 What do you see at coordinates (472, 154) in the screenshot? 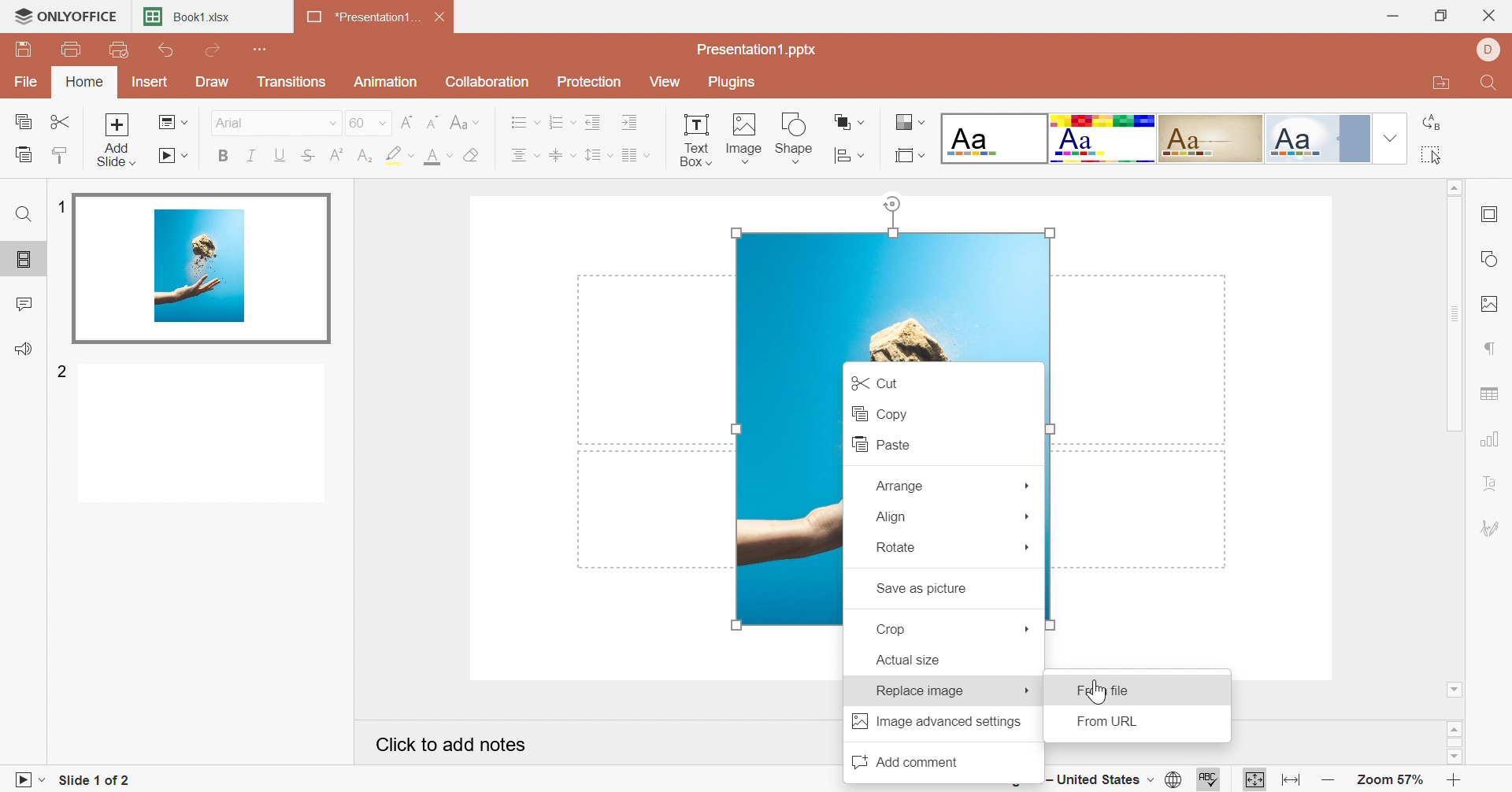
I see `Clear style` at bounding box center [472, 154].